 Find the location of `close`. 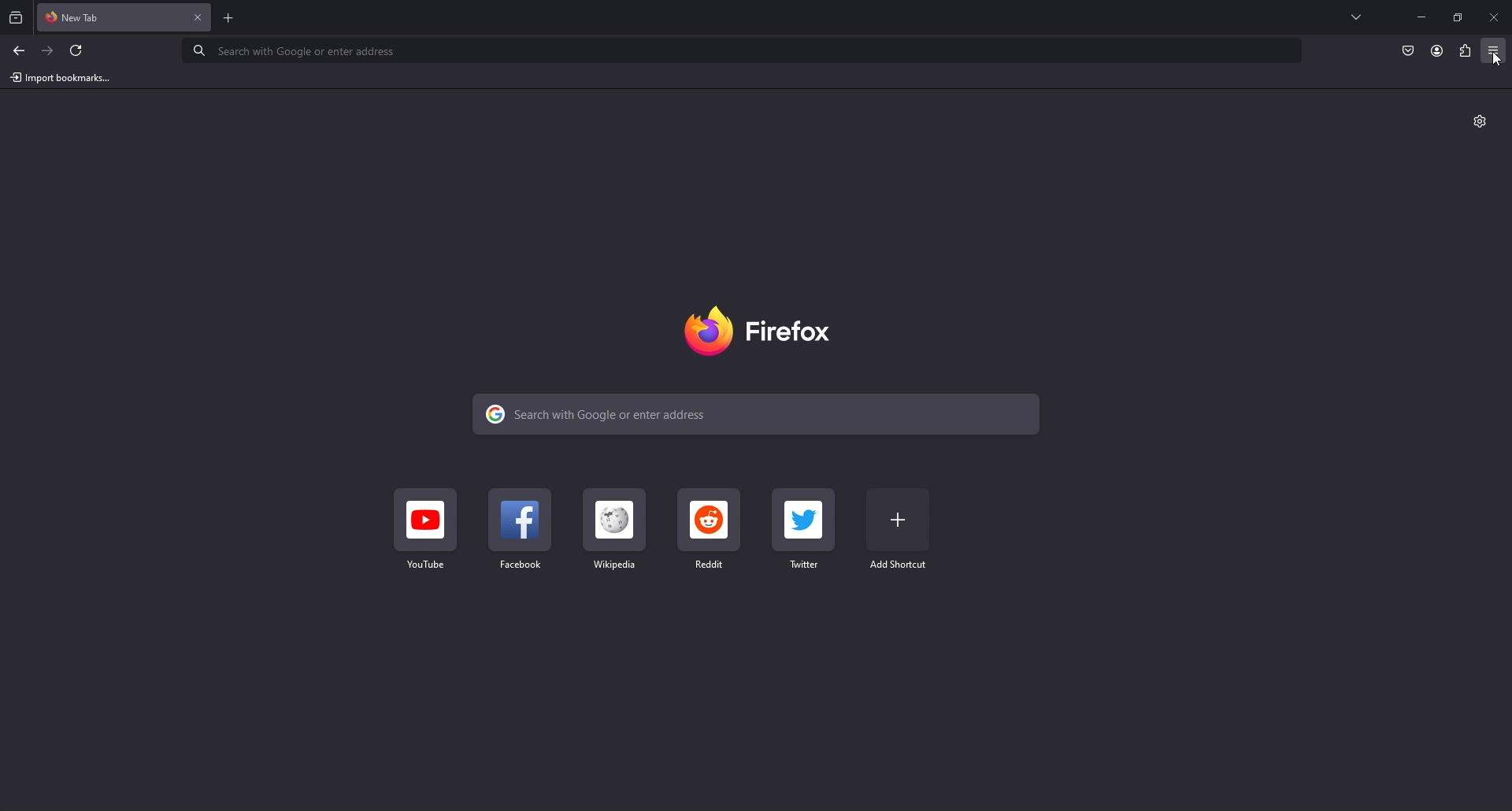

close is located at coordinates (1495, 16).